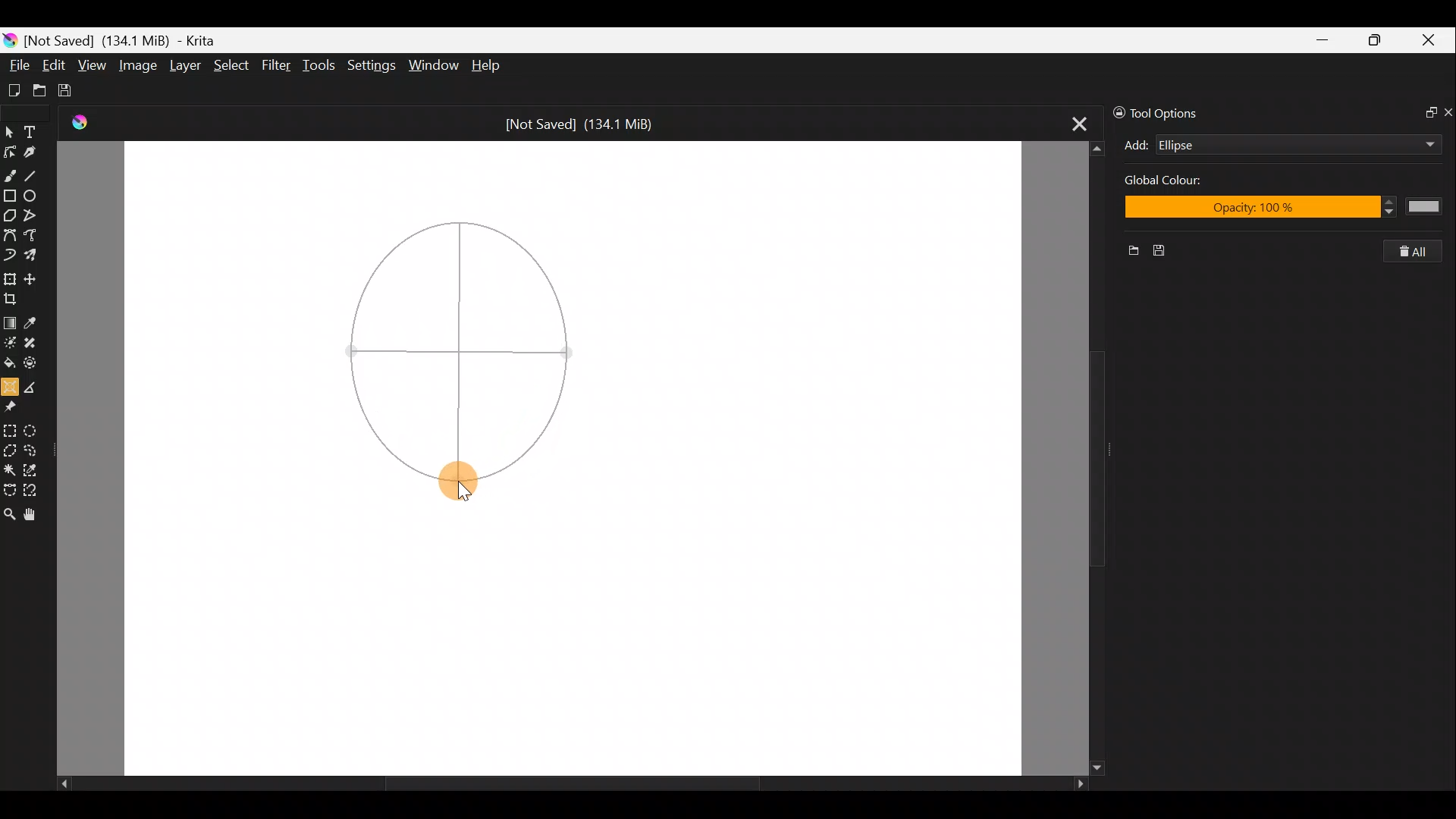 The height and width of the screenshot is (819, 1456). Describe the element at coordinates (10, 322) in the screenshot. I see `Draw a gradient` at that location.